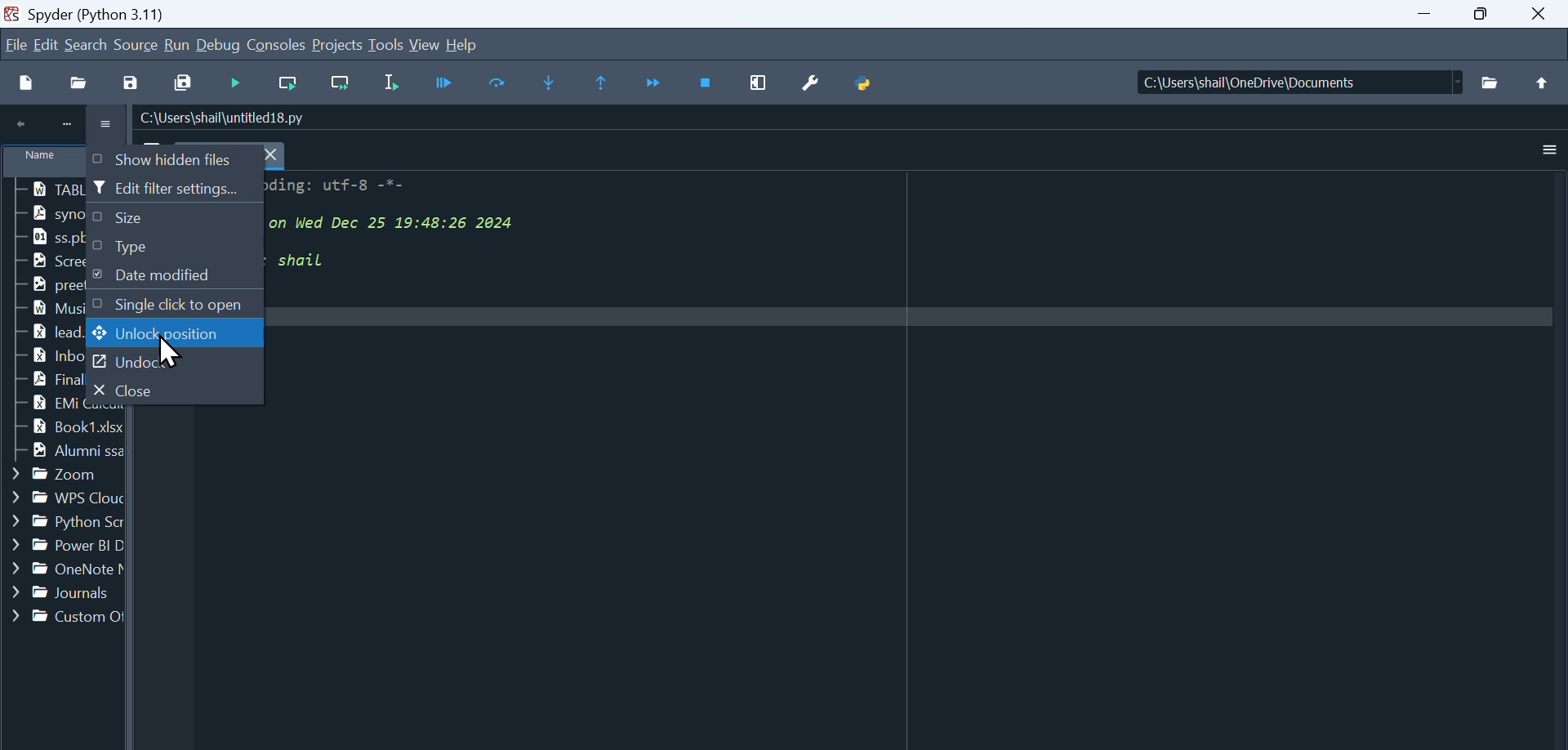 This screenshot has width=1568, height=750. I want to click on search, so click(87, 44).